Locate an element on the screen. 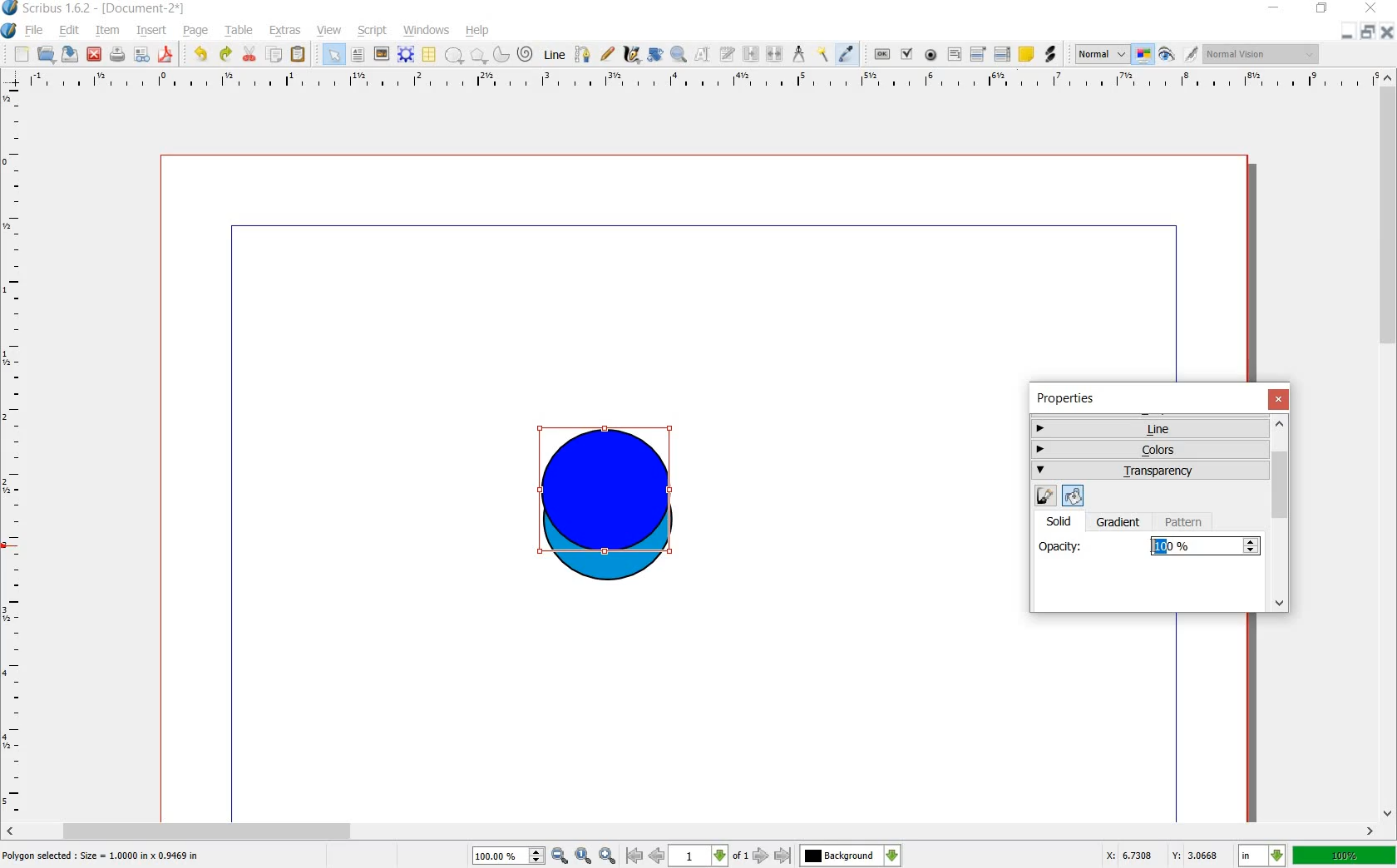 The image size is (1397, 868). text frame is located at coordinates (358, 55).